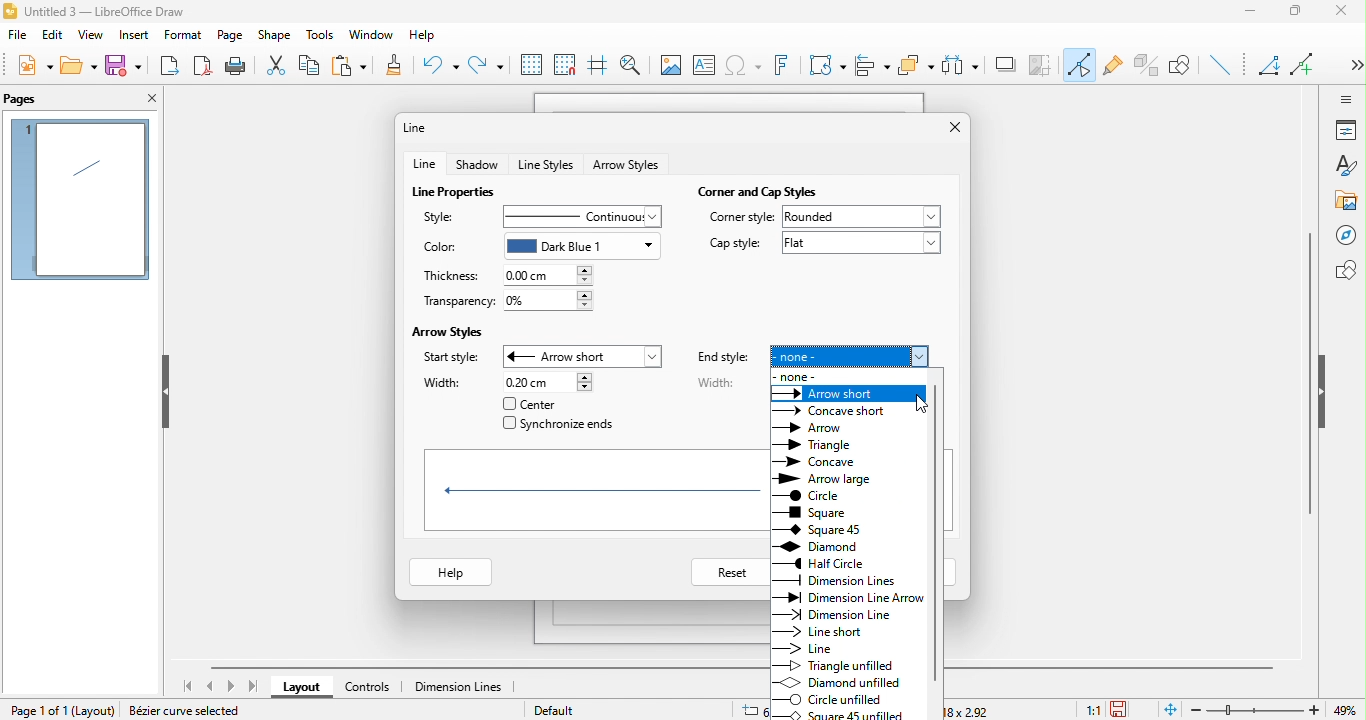 The height and width of the screenshot is (720, 1366). Describe the element at coordinates (873, 67) in the screenshot. I see `align object` at that location.